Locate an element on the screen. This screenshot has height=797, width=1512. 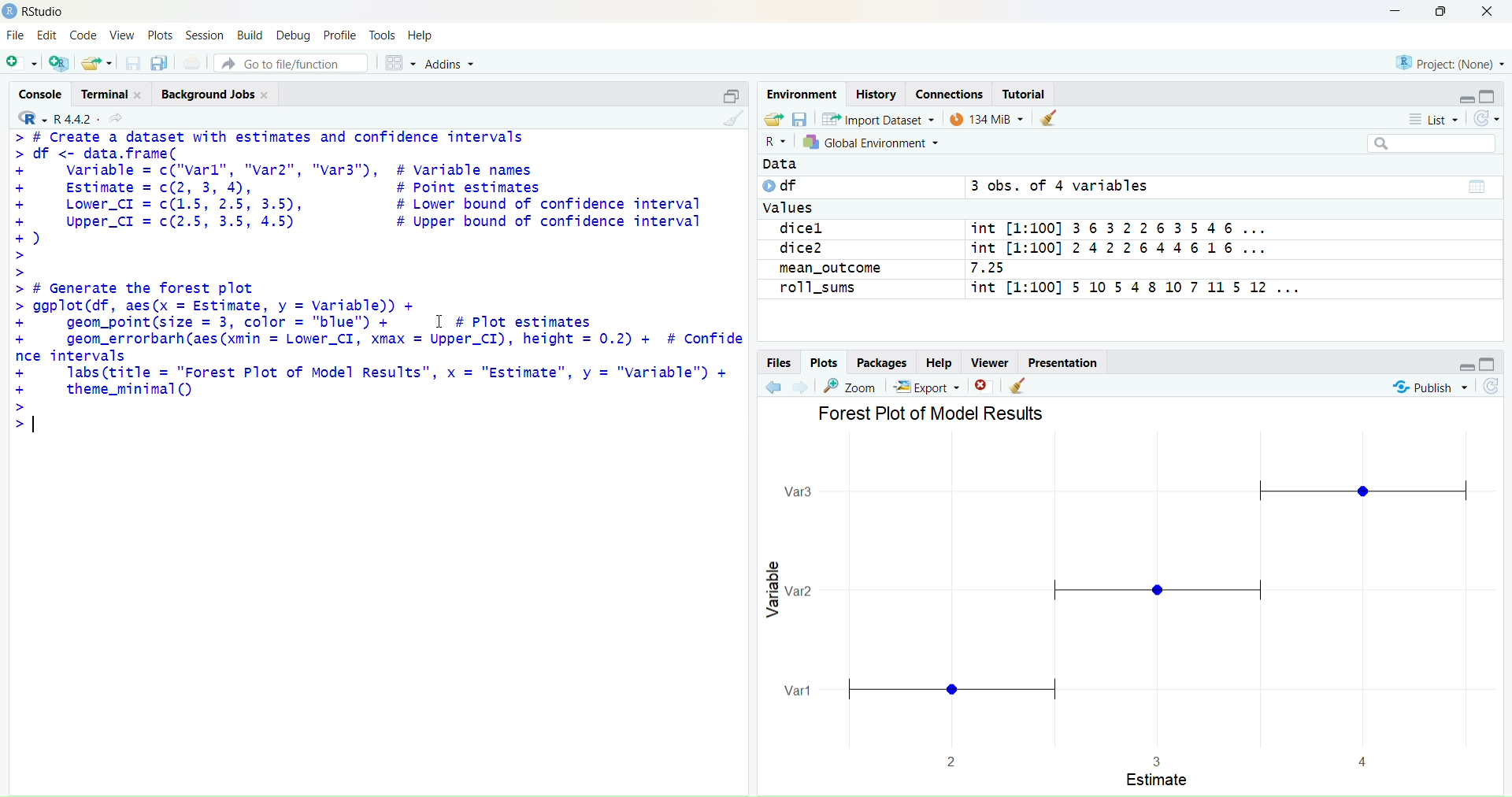
Forest Plot of Model Results is located at coordinates (929, 417).